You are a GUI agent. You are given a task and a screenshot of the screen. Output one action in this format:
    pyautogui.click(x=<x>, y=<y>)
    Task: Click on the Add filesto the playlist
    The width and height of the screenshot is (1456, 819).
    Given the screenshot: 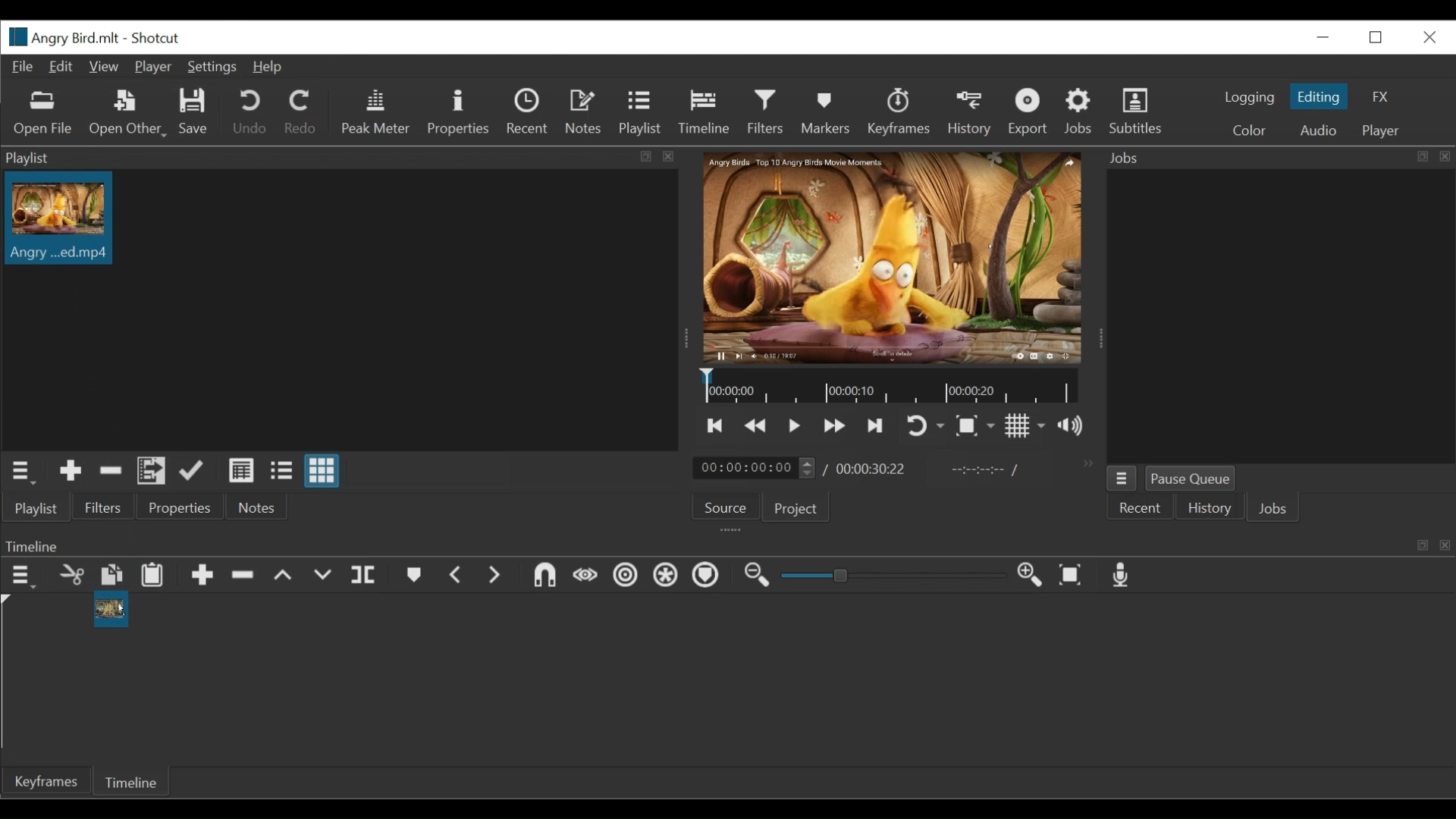 What is the action you would take?
    pyautogui.click(x=152, y=470)
    